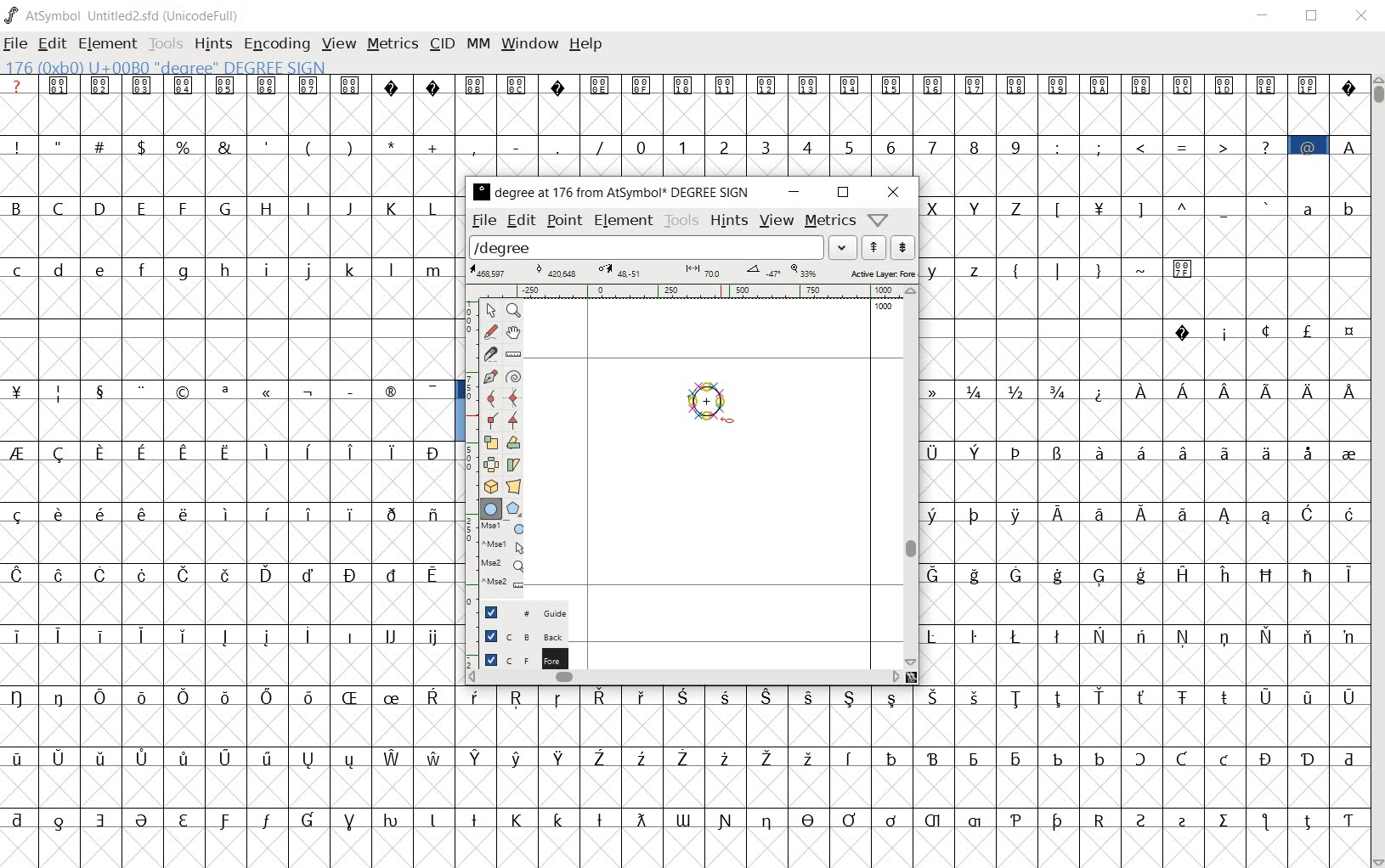 The width and height of the screenshot is (1385, 868). Describe the element at coordinates (307, 144) in the screenshot. I see `special characters` at that location.